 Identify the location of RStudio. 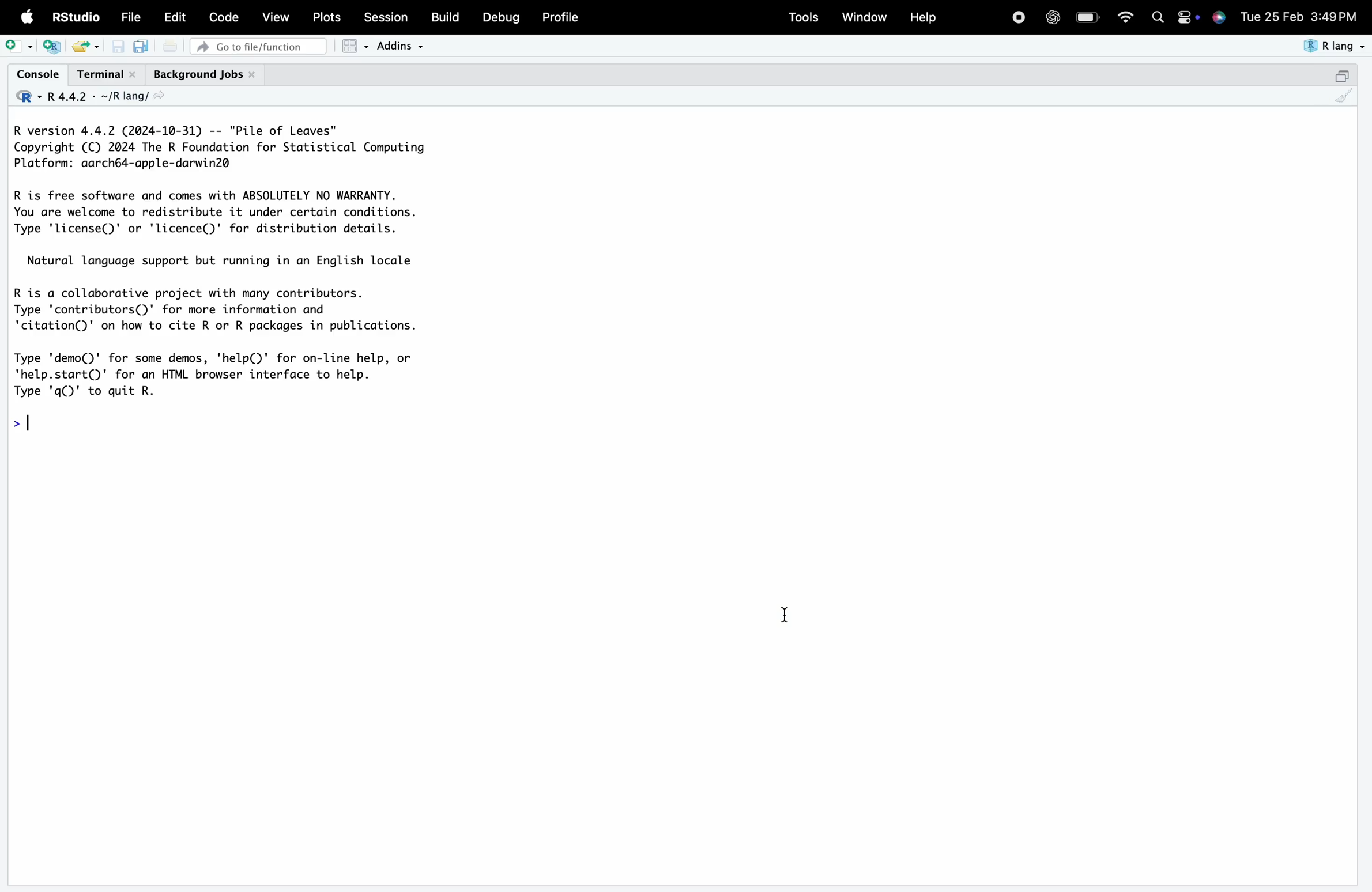
(74, 17).